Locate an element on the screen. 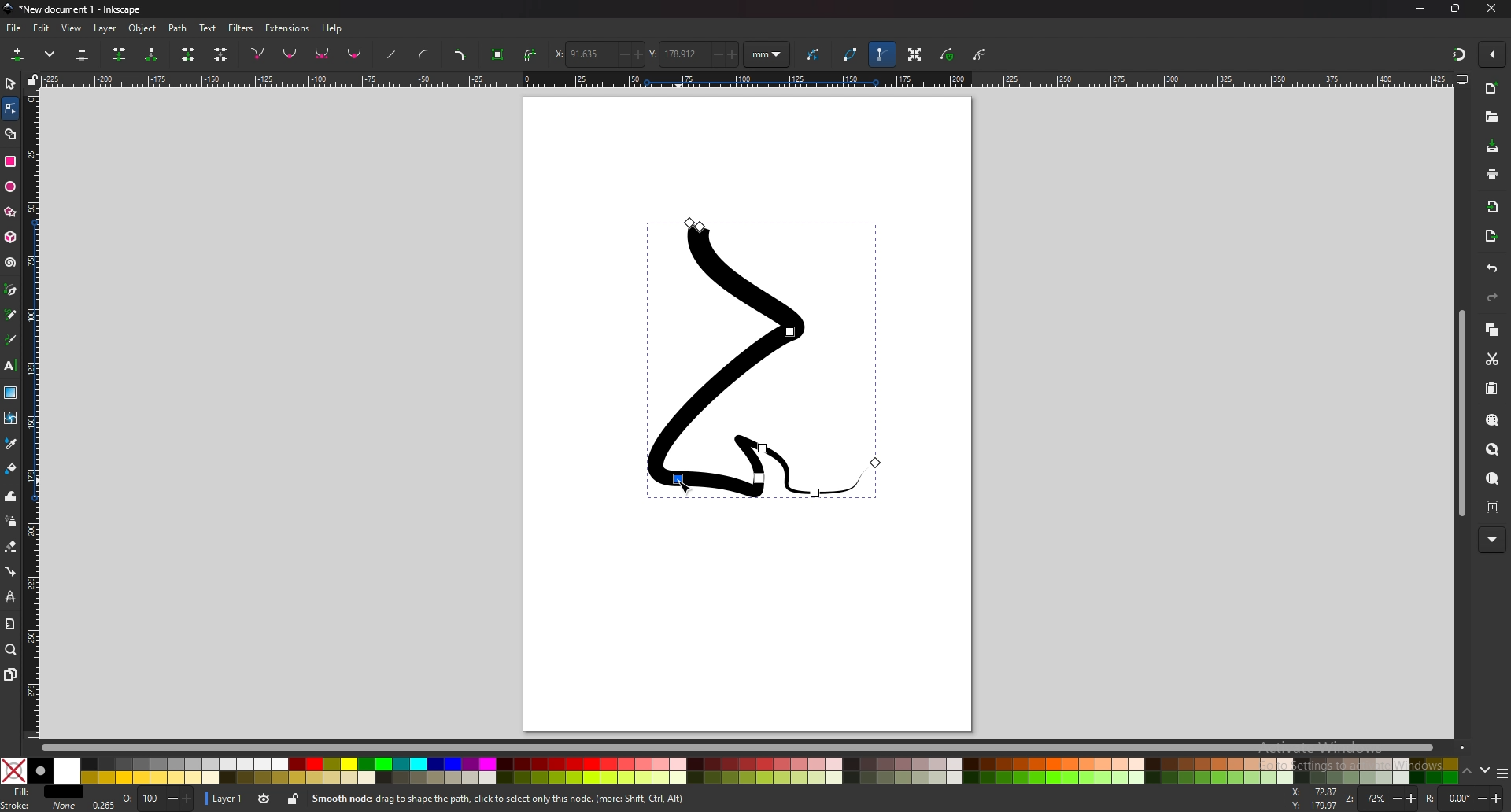  rotate is located at coordinates (1462, 797).